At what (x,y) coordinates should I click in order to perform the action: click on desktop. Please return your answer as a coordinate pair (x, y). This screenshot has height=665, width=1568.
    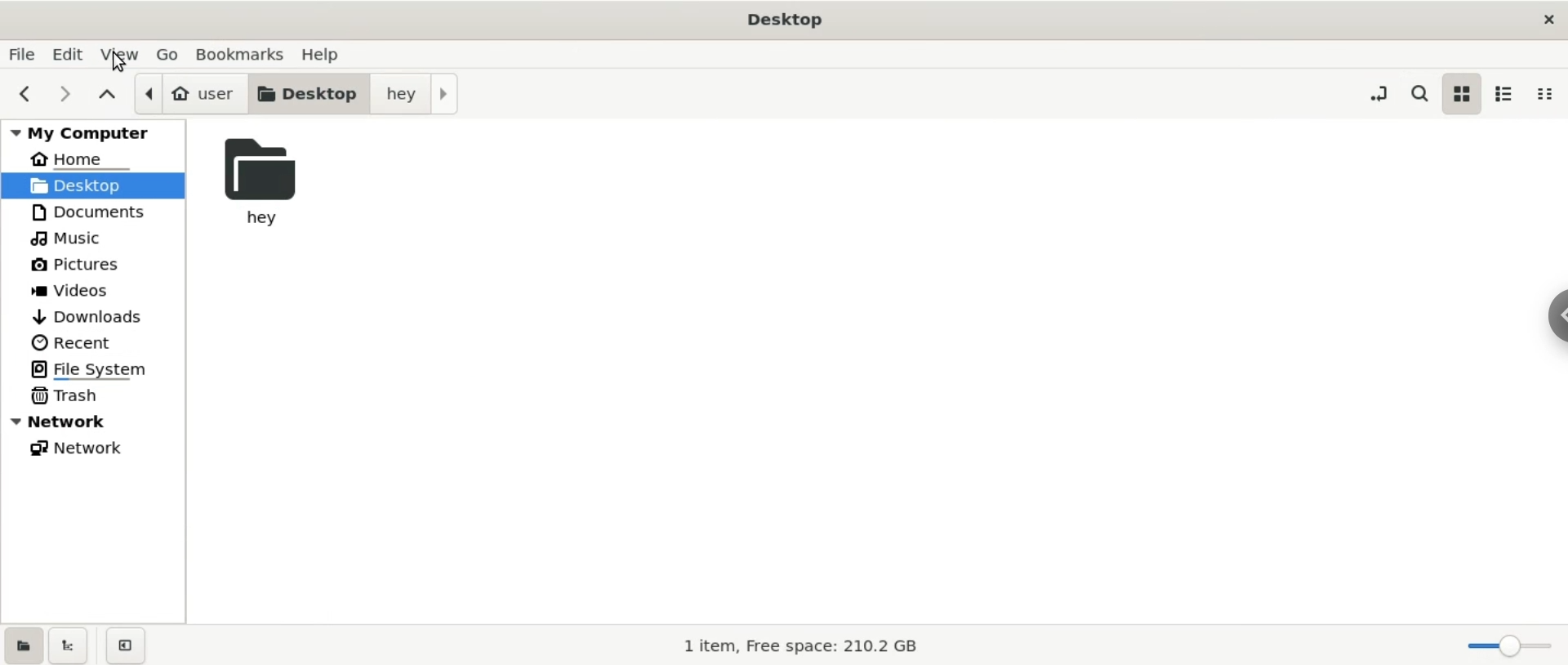
    Looking at the image, I should click on (314, 94).